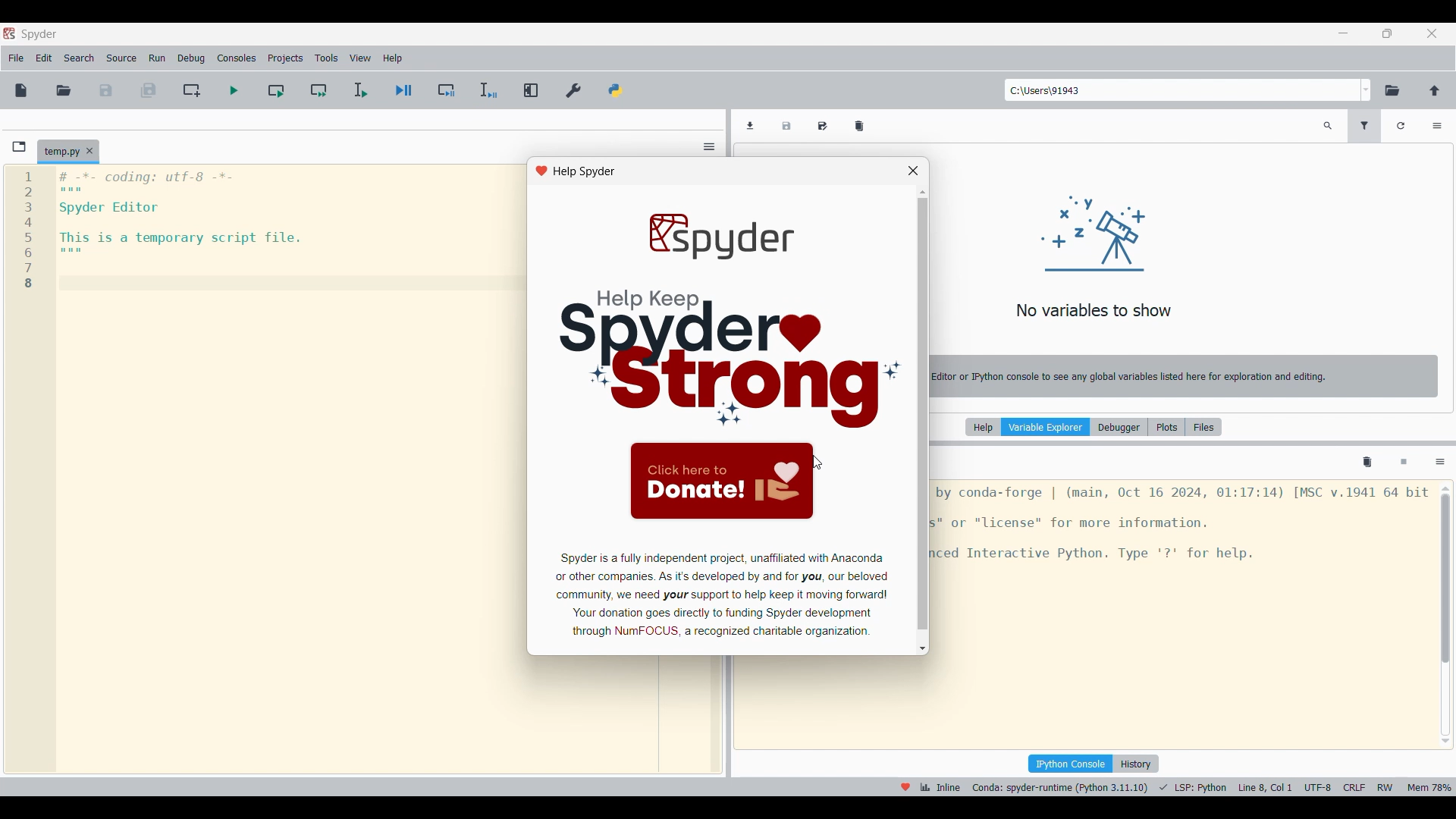 The height and width of the screenshot is (819, 1456). I want to click on notice, so click(1189, 374).